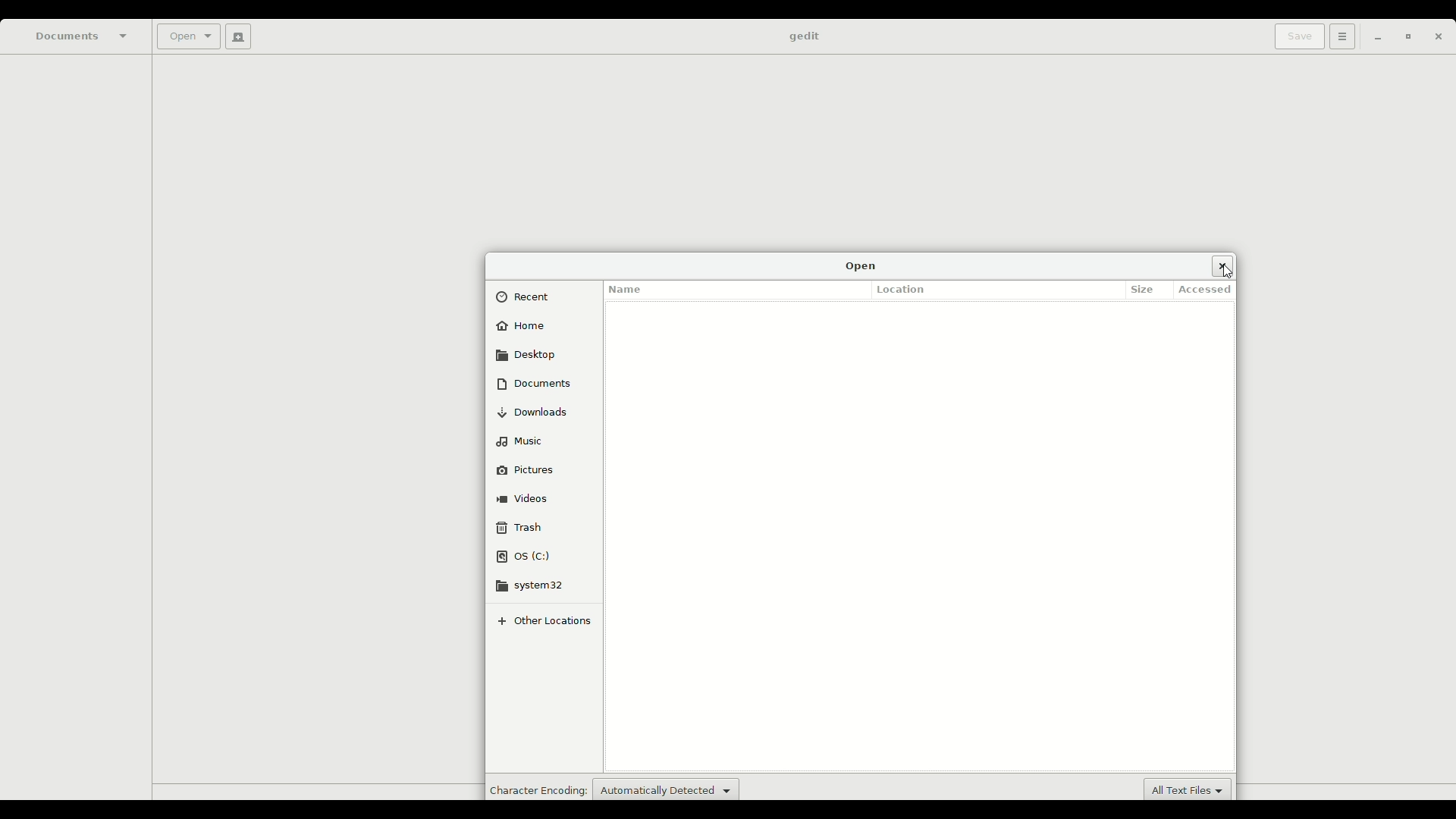 The image size is (1456, 819). What do you see at coordinates (1222, 265) in the screenshot?
I see `Close` at bounding box center [1222, 265].